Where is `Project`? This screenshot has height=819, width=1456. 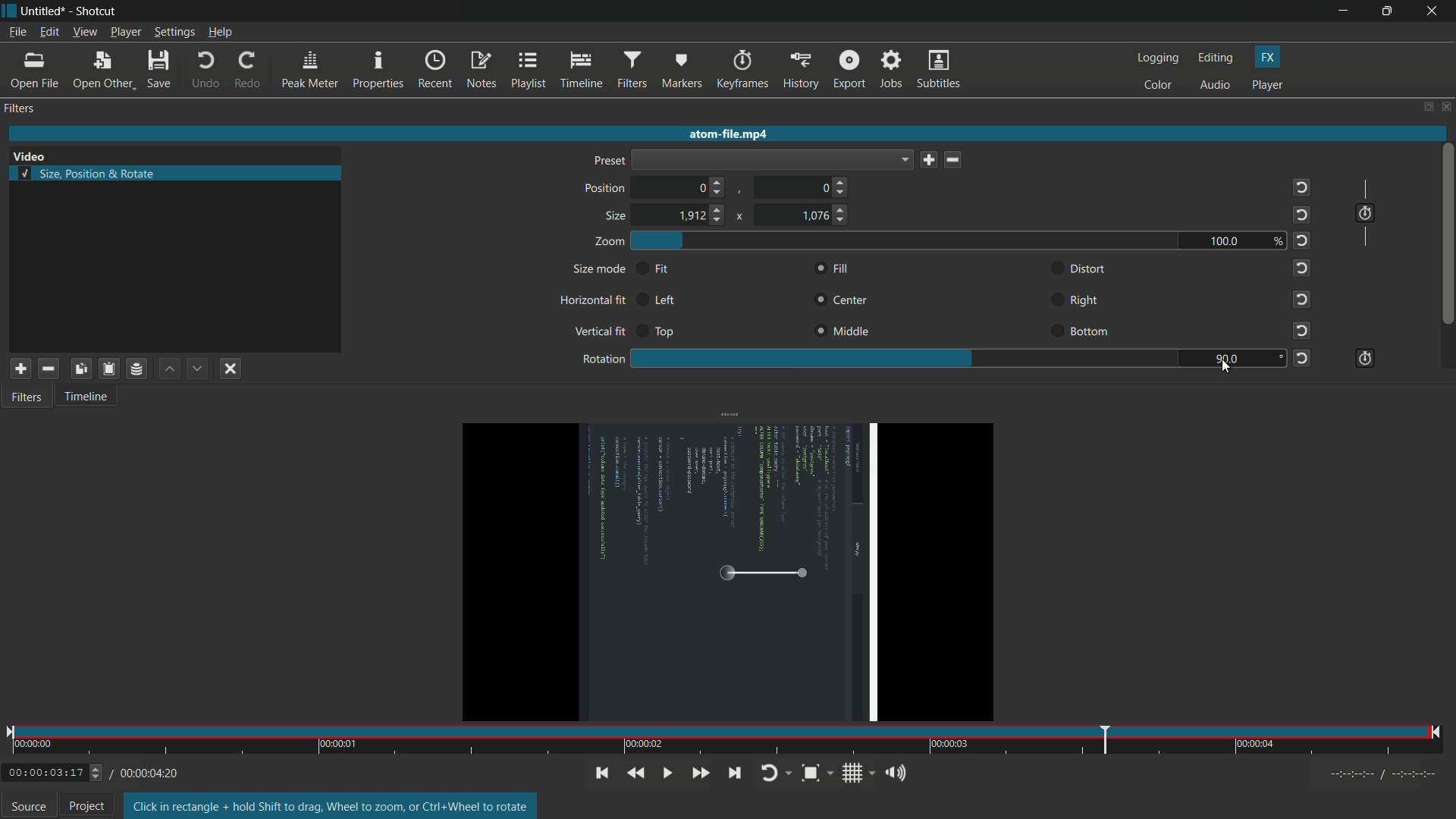
Project is located at coordinates (93, 805).